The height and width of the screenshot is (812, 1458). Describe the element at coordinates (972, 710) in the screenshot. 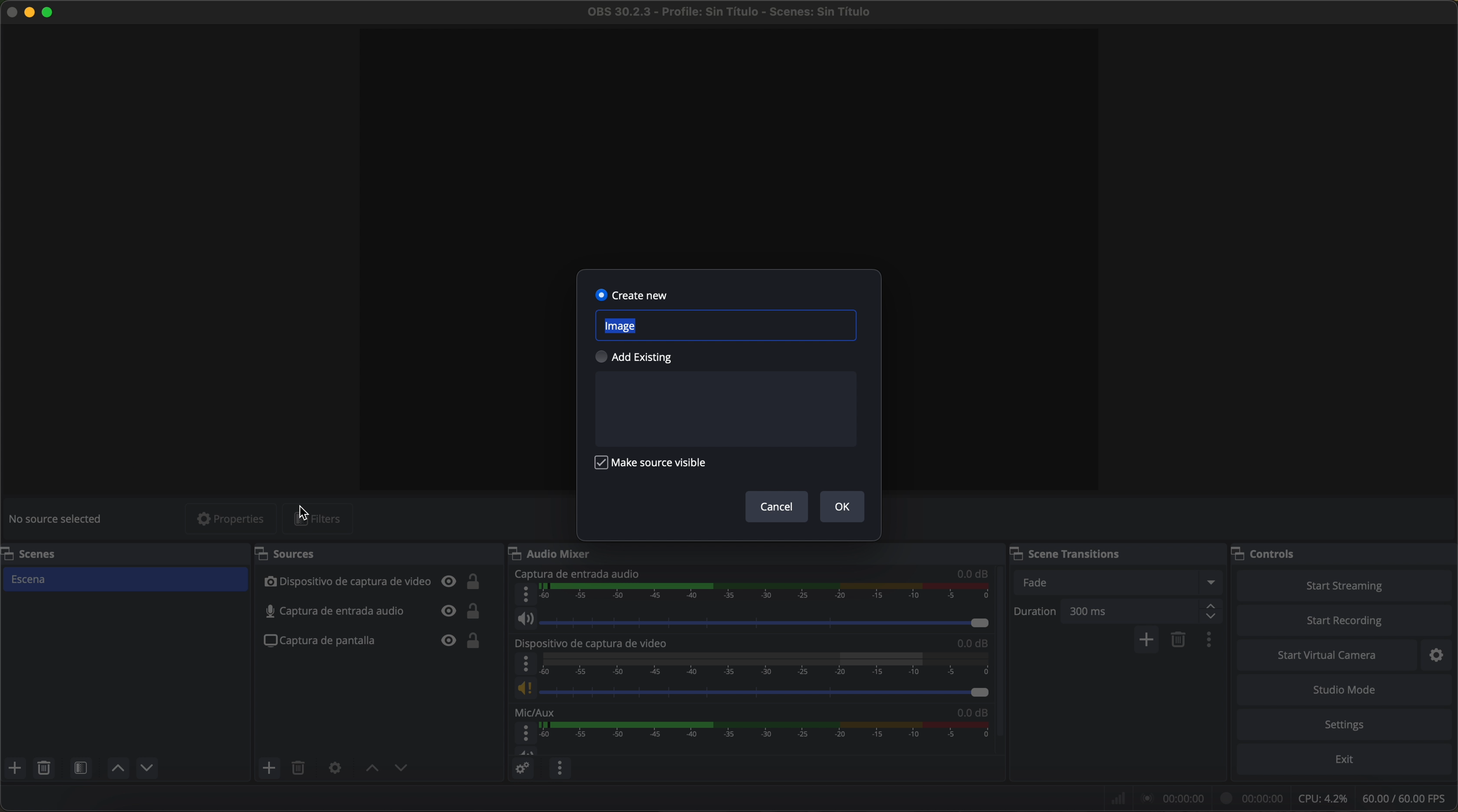

I see `0.0 dB` at that location.